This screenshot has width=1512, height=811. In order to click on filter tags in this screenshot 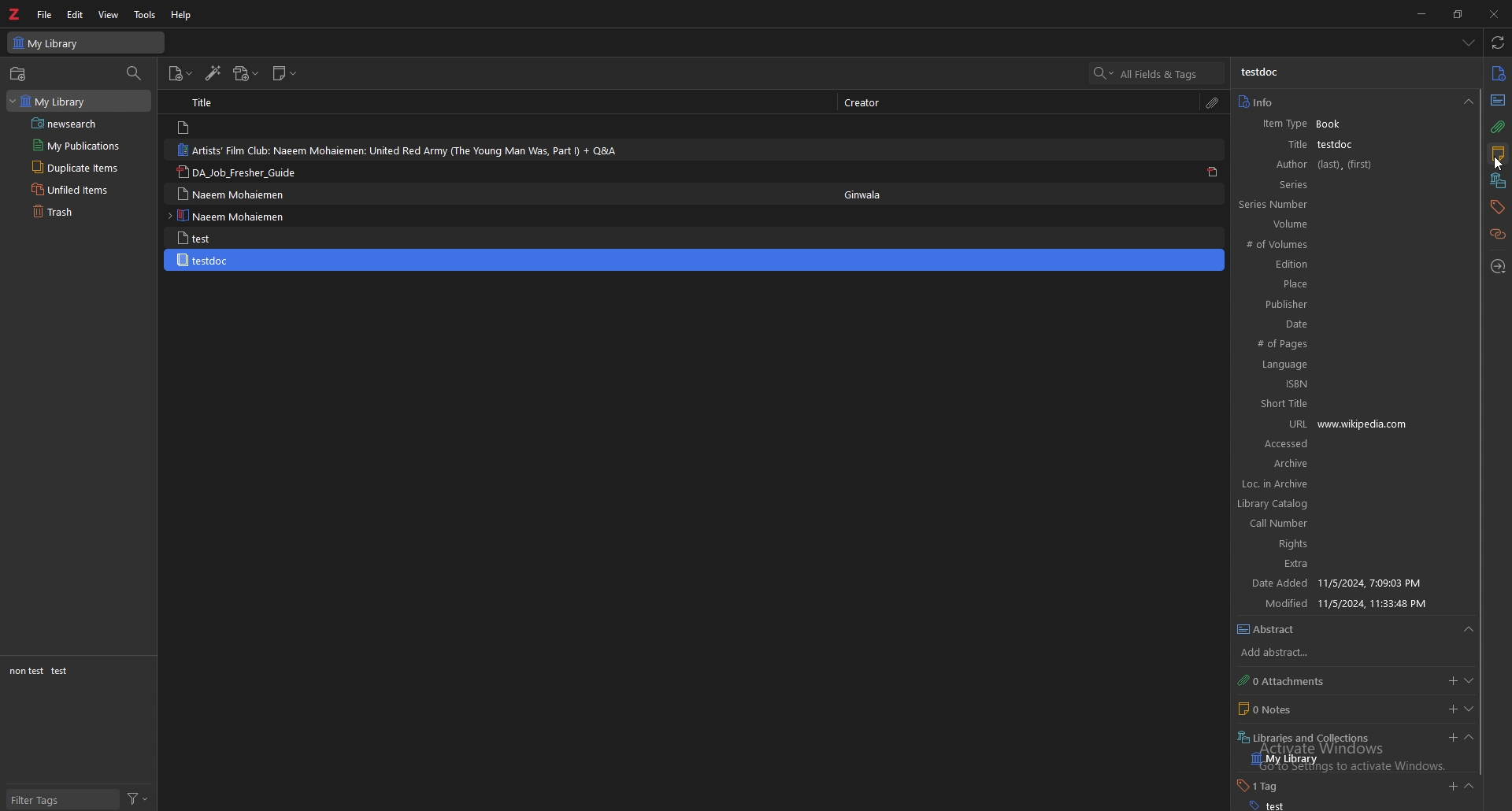, I will do `click(62, 799)`.